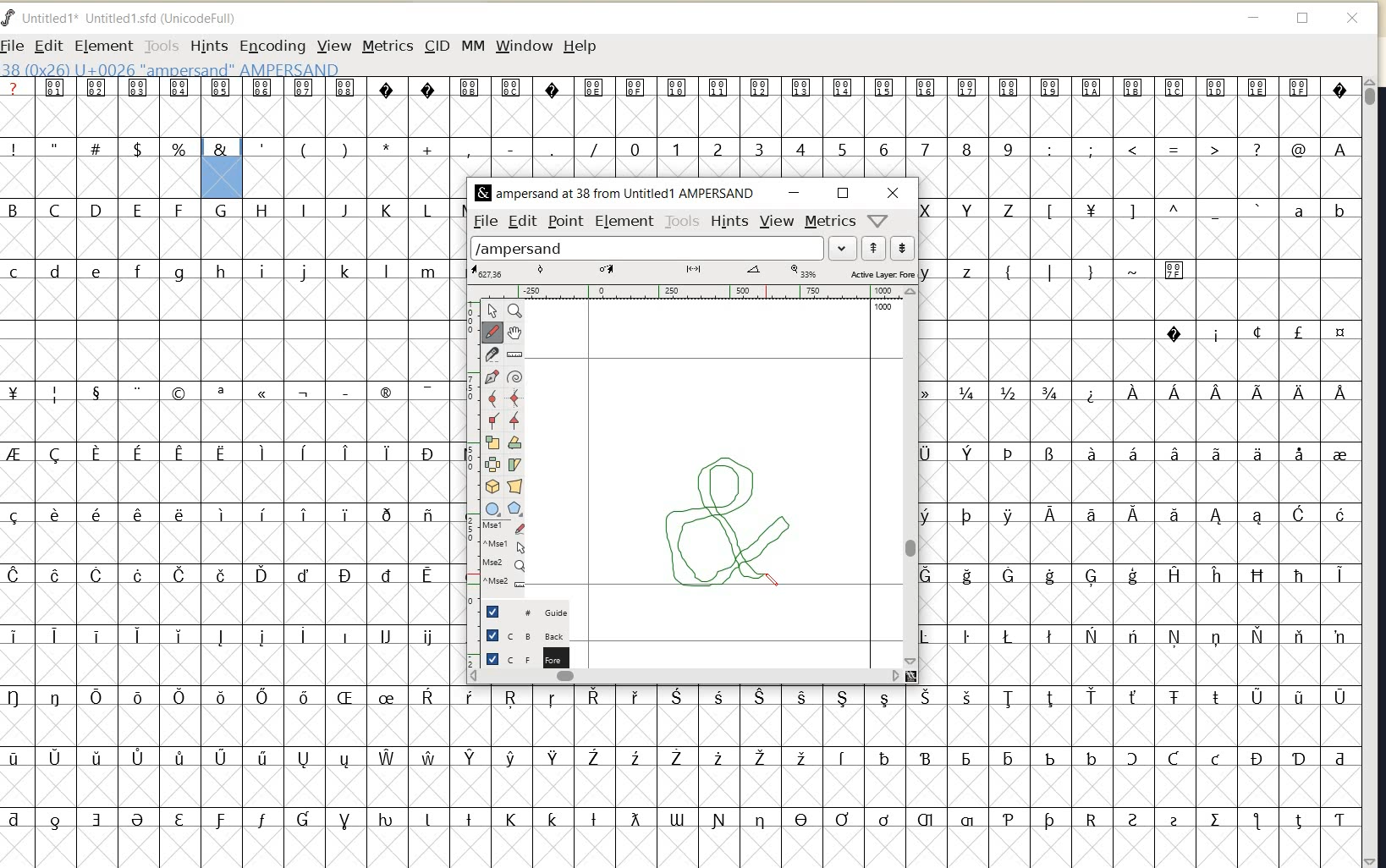  Describe the element at coordinates (905, 768) in the screenshot. I see `glyph characters` at that location.